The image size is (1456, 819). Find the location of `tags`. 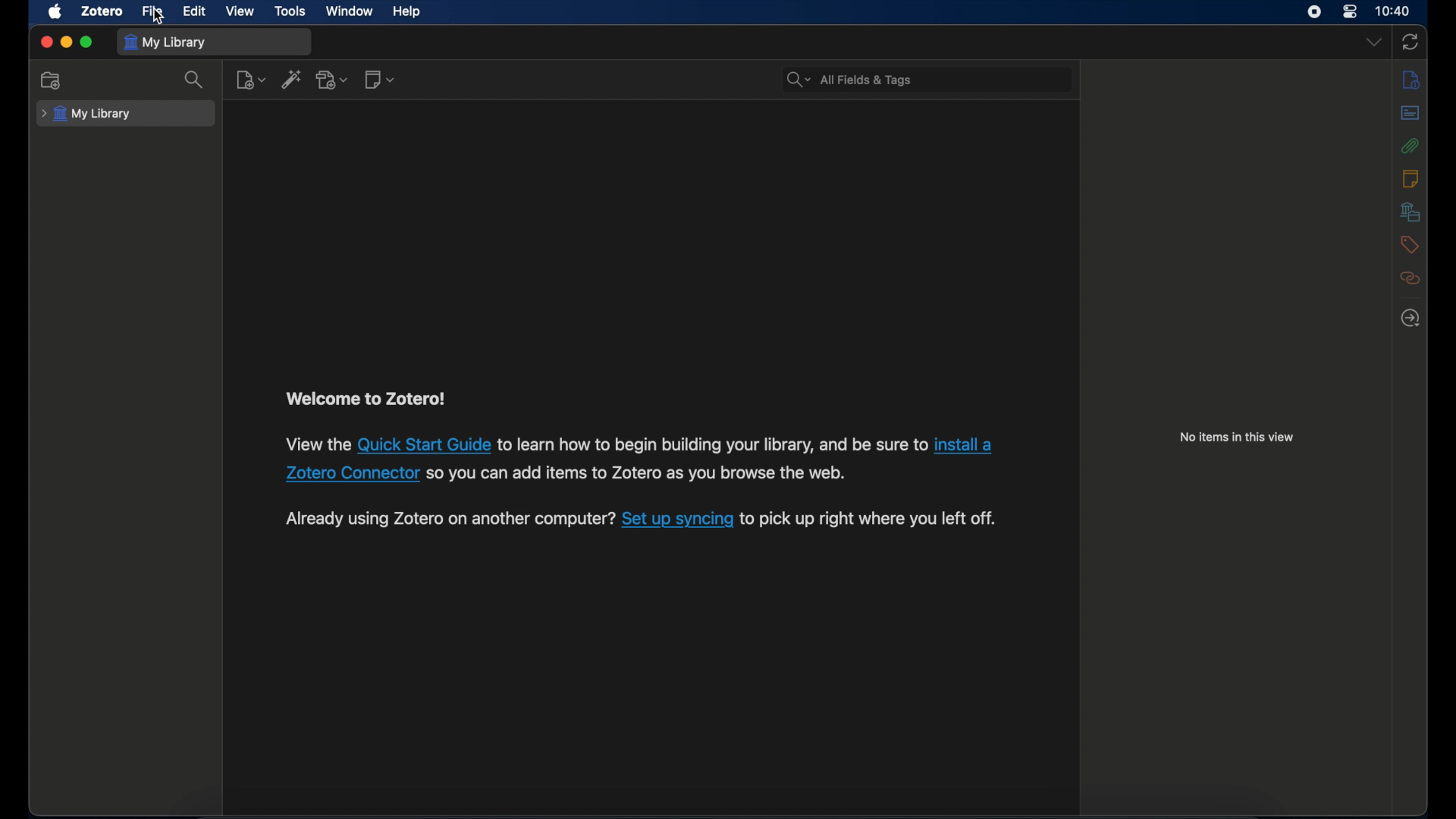

tags is located at coordinates (1410, 246).